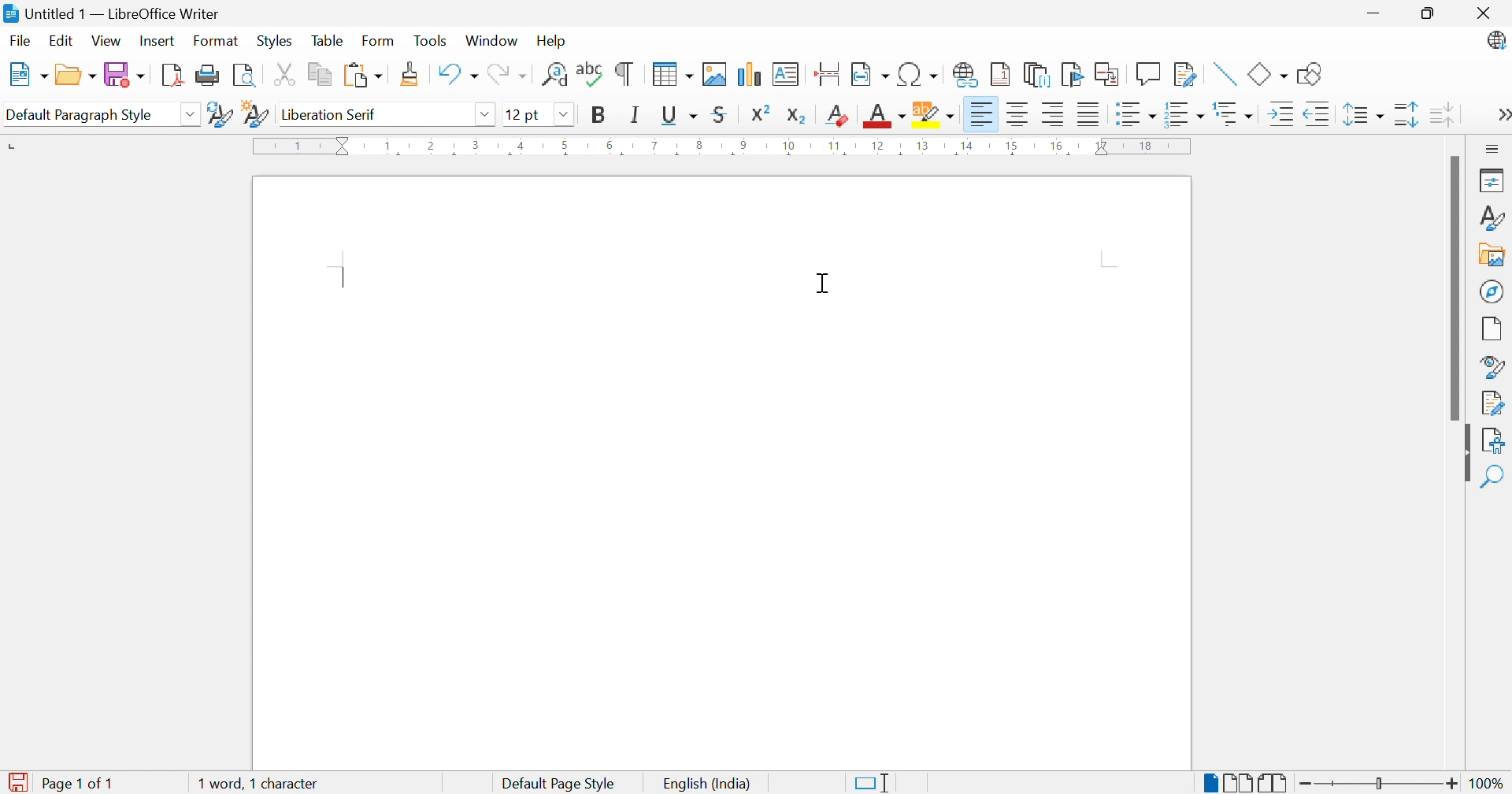 This screenshot has width=1512, height=794. Describe the element at coordinates (220, 114) in the screenshot. I see `Update Selected Style` at that location.